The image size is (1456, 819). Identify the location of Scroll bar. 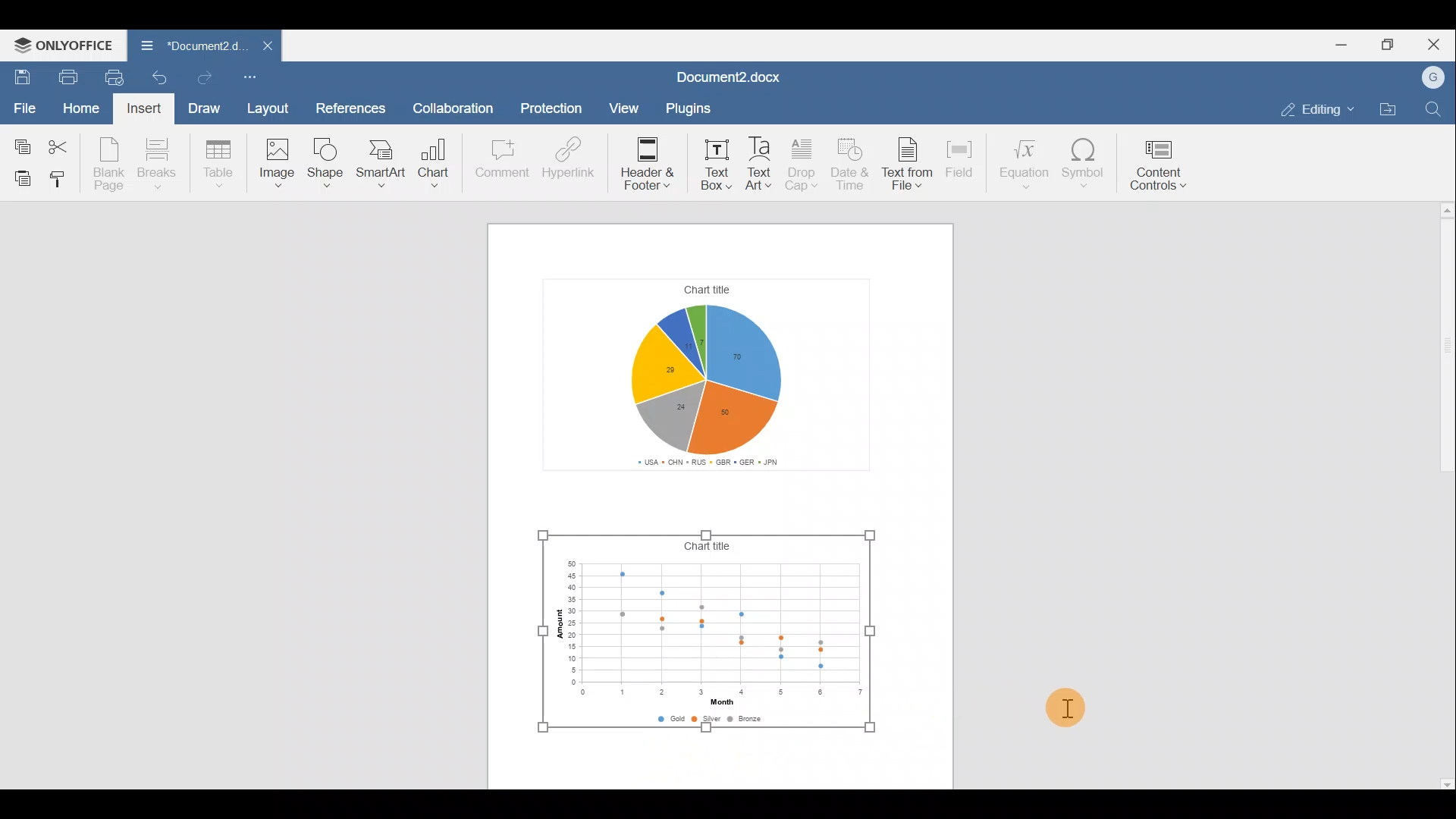
(1438, 497).